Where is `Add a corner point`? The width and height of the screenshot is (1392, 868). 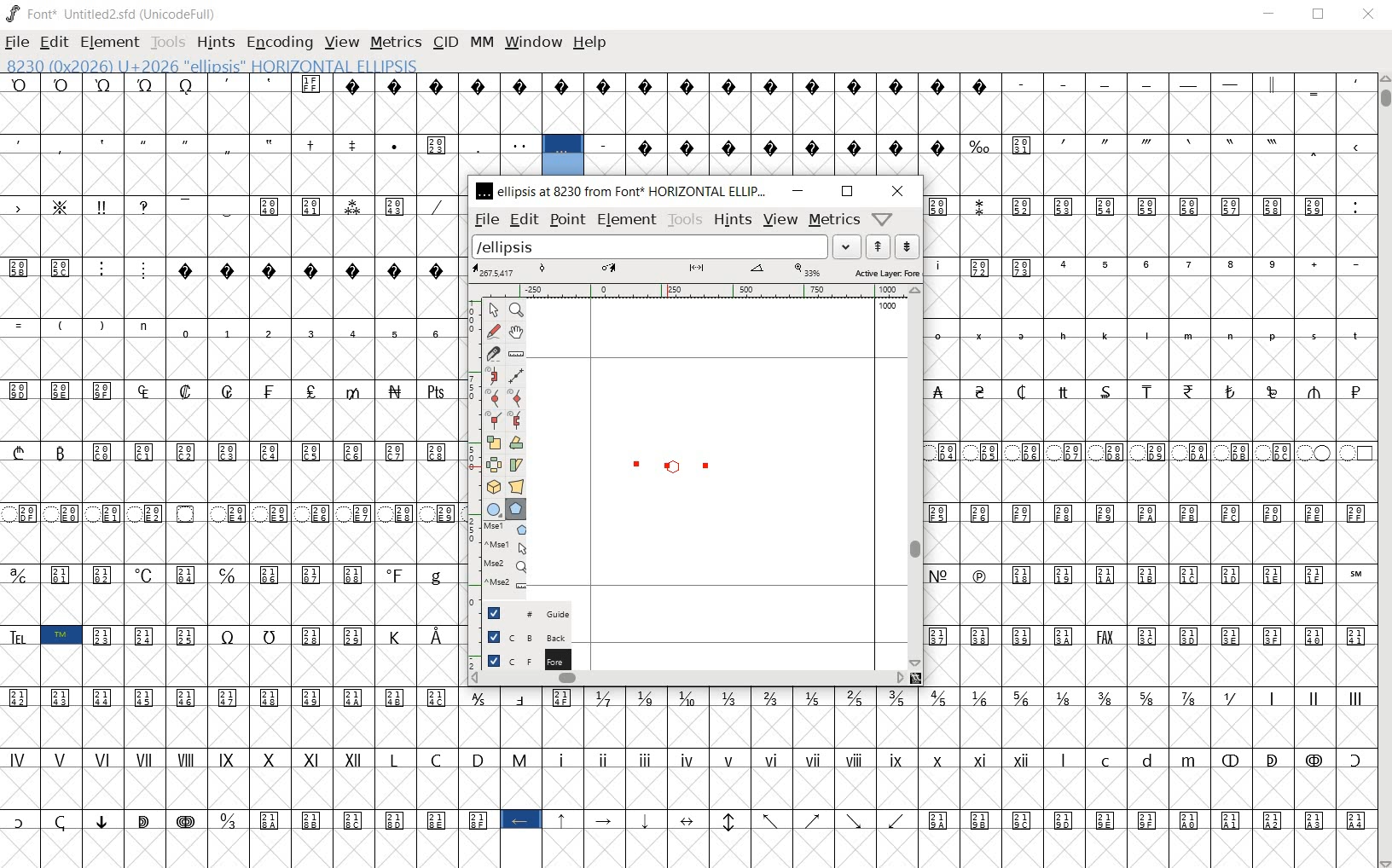 Add a corner point is located at coordinates (492, 420).